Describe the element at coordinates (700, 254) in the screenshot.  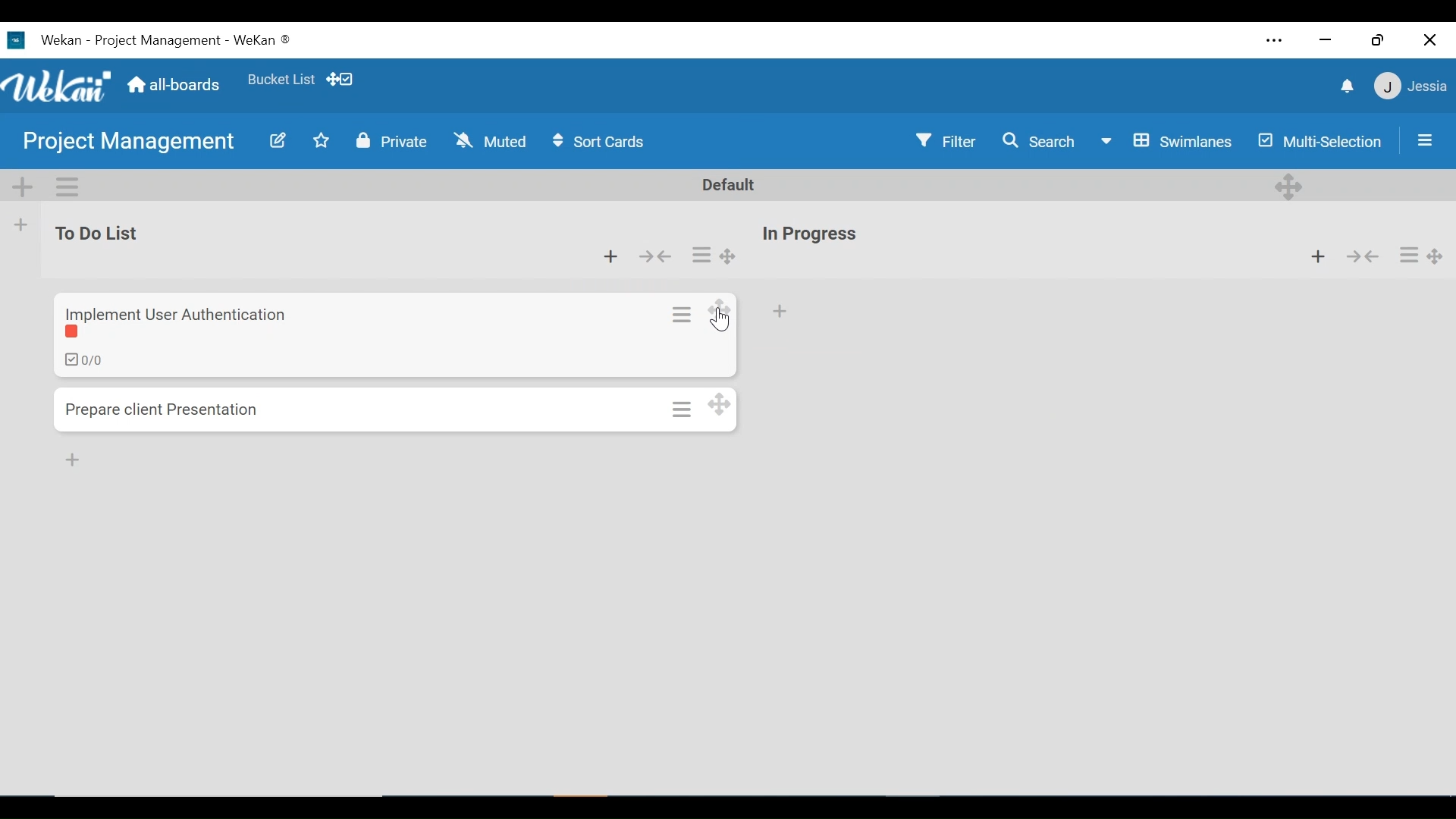
I see `Card actions` at that location.